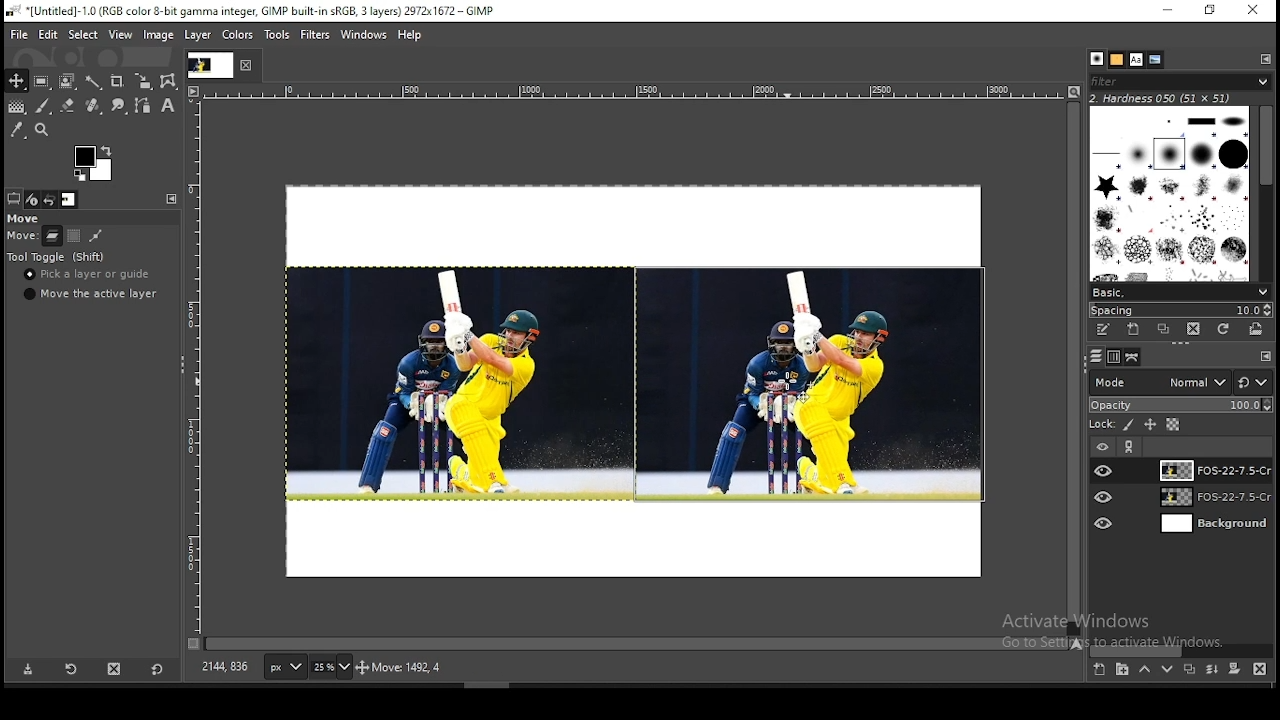 Image resolution: width=1280 pixels, height=720 pixels. I want to click on new layer , so click(1098, 671).